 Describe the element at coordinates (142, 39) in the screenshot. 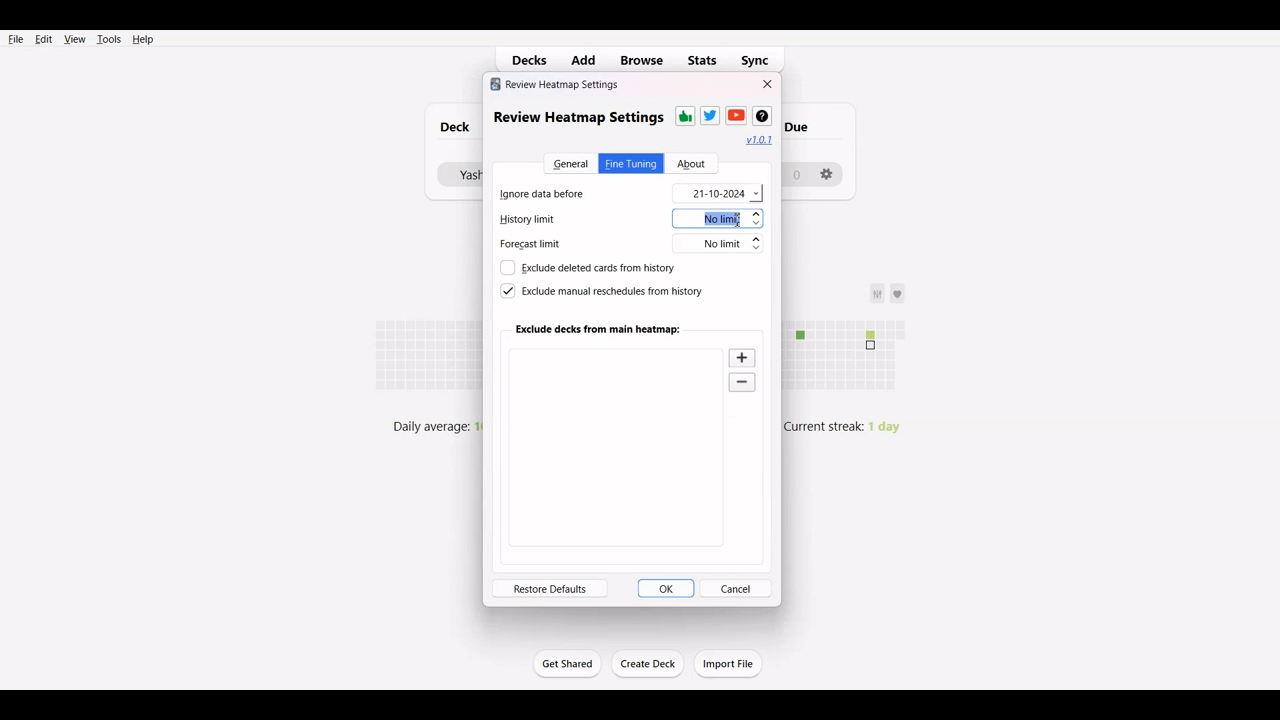

I see `Help` at that location.